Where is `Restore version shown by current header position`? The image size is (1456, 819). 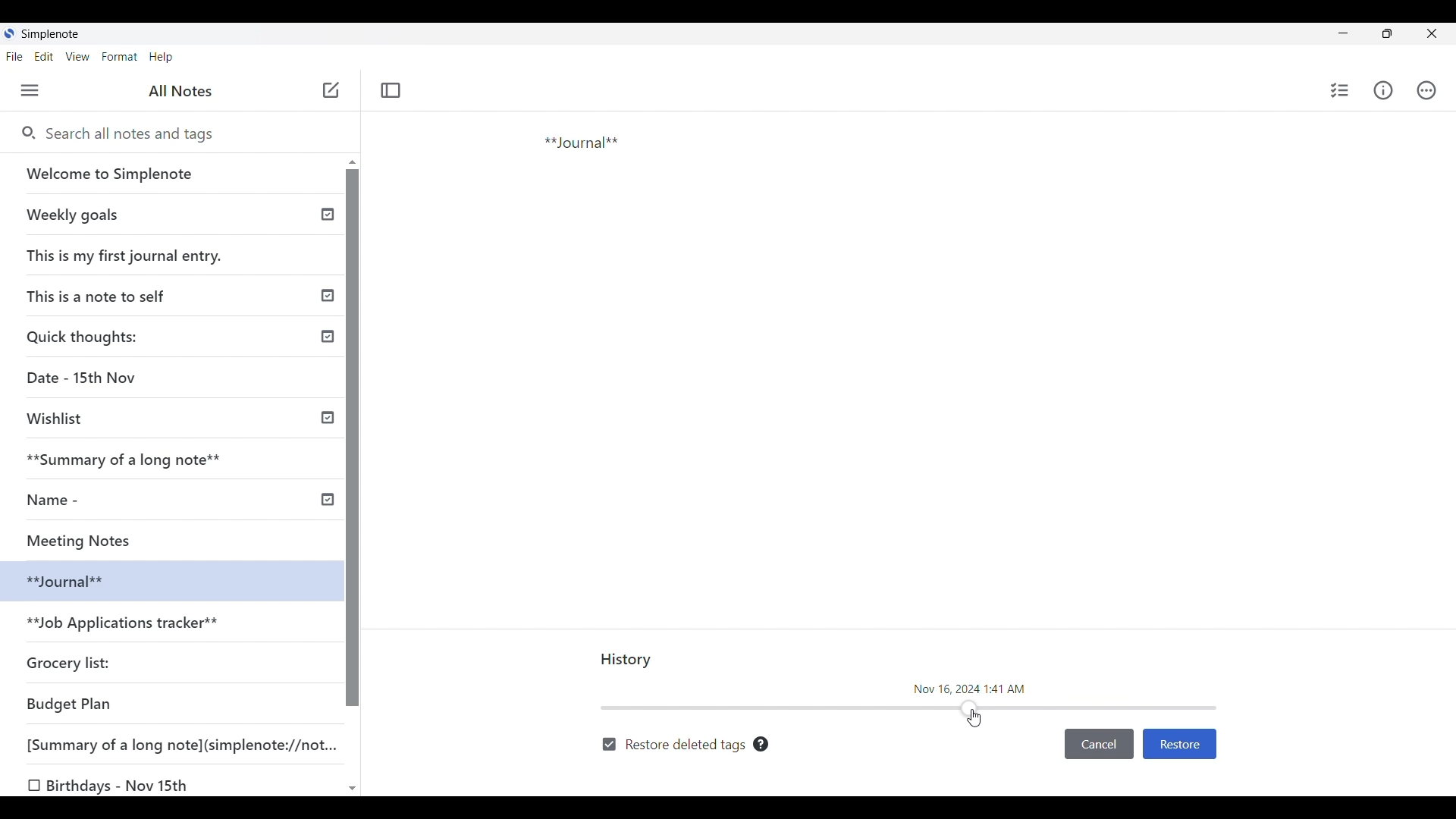 Restore version shown by current header position is located at coordinates (1179, 745).